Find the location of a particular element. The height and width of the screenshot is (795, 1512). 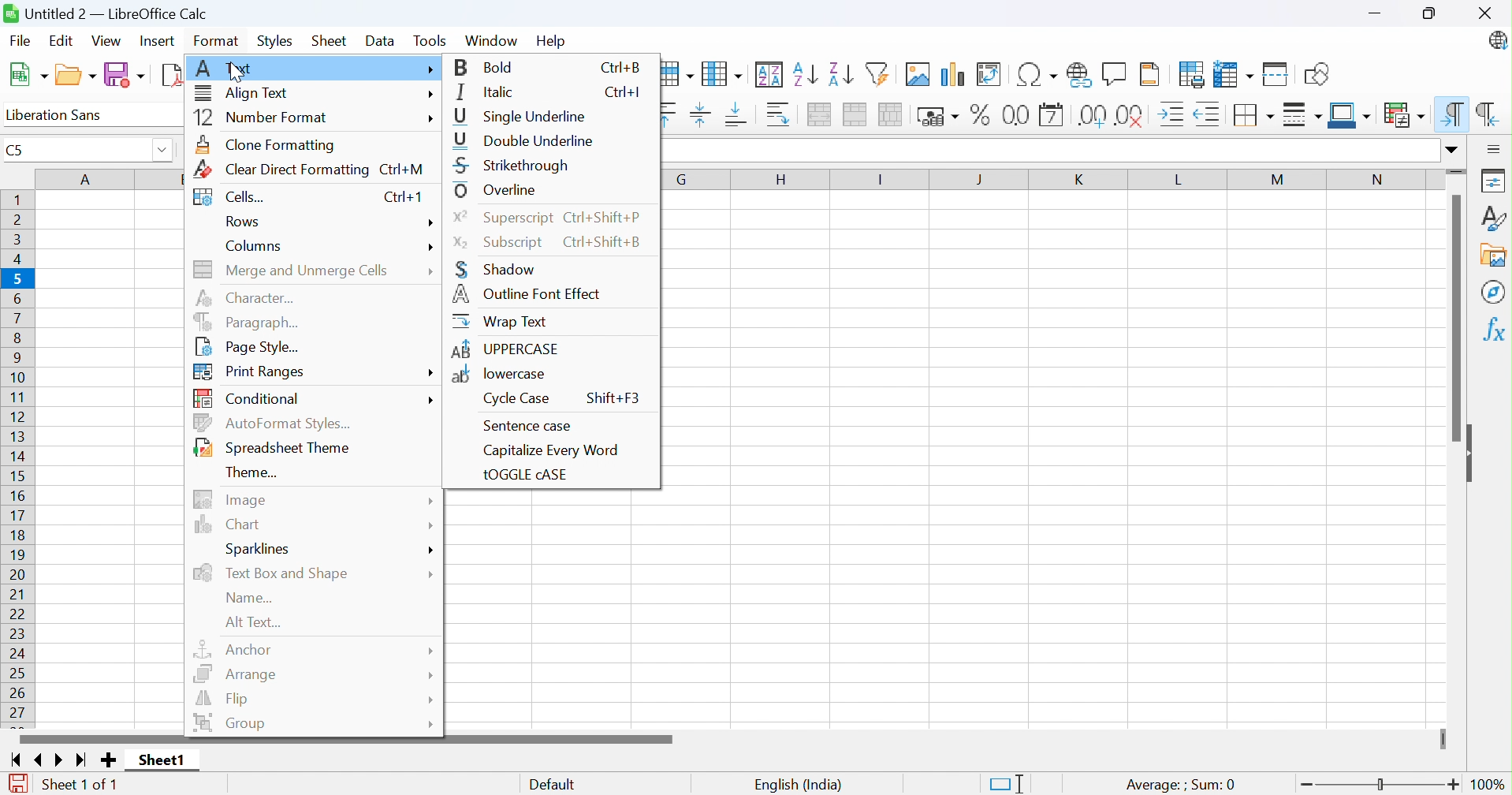

Scroll to last sheet is located at coordinates (80, 763).